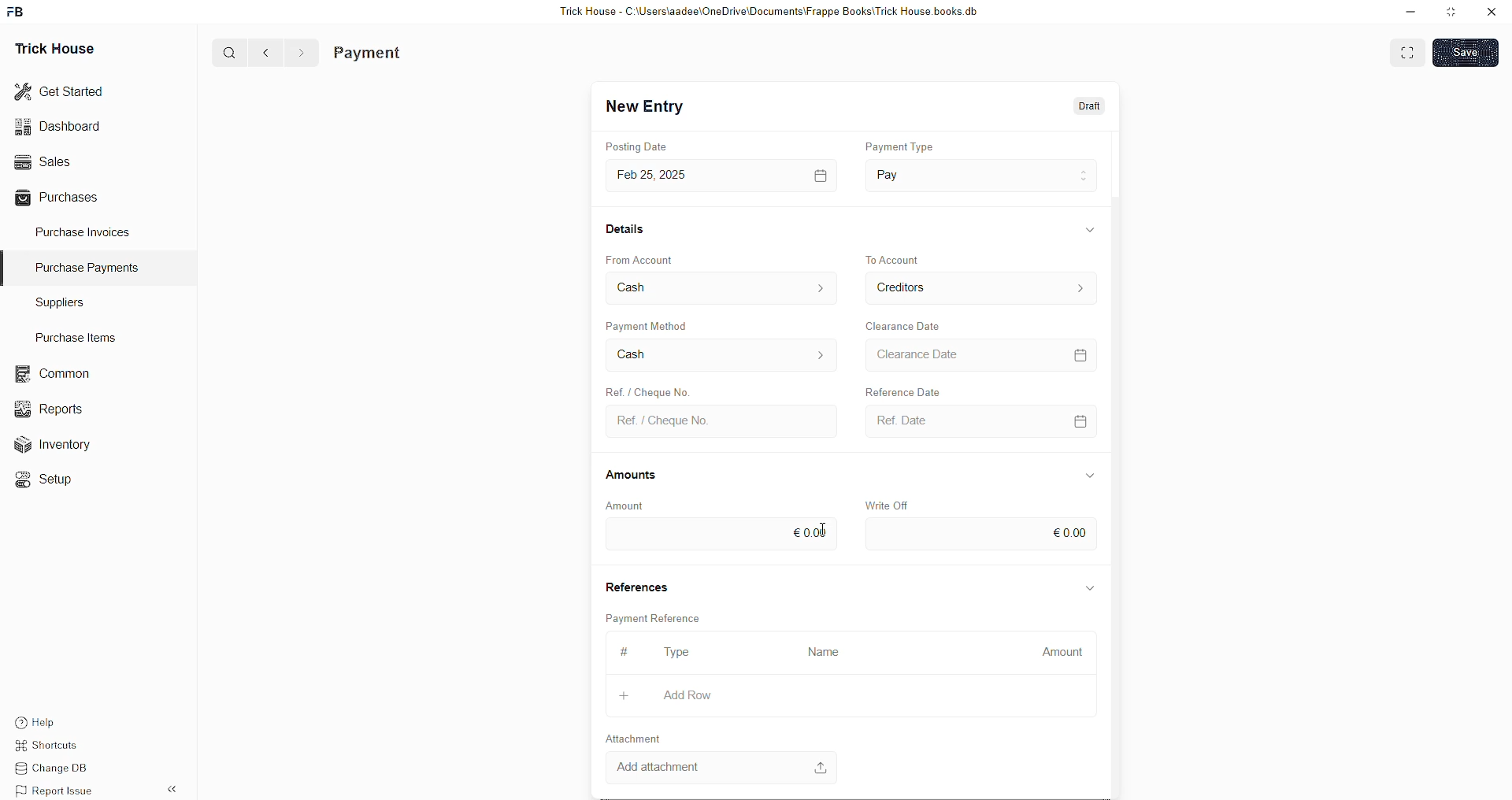 This screenshot has width=1512, height=800. I want to click on Name, so click(817, 650).